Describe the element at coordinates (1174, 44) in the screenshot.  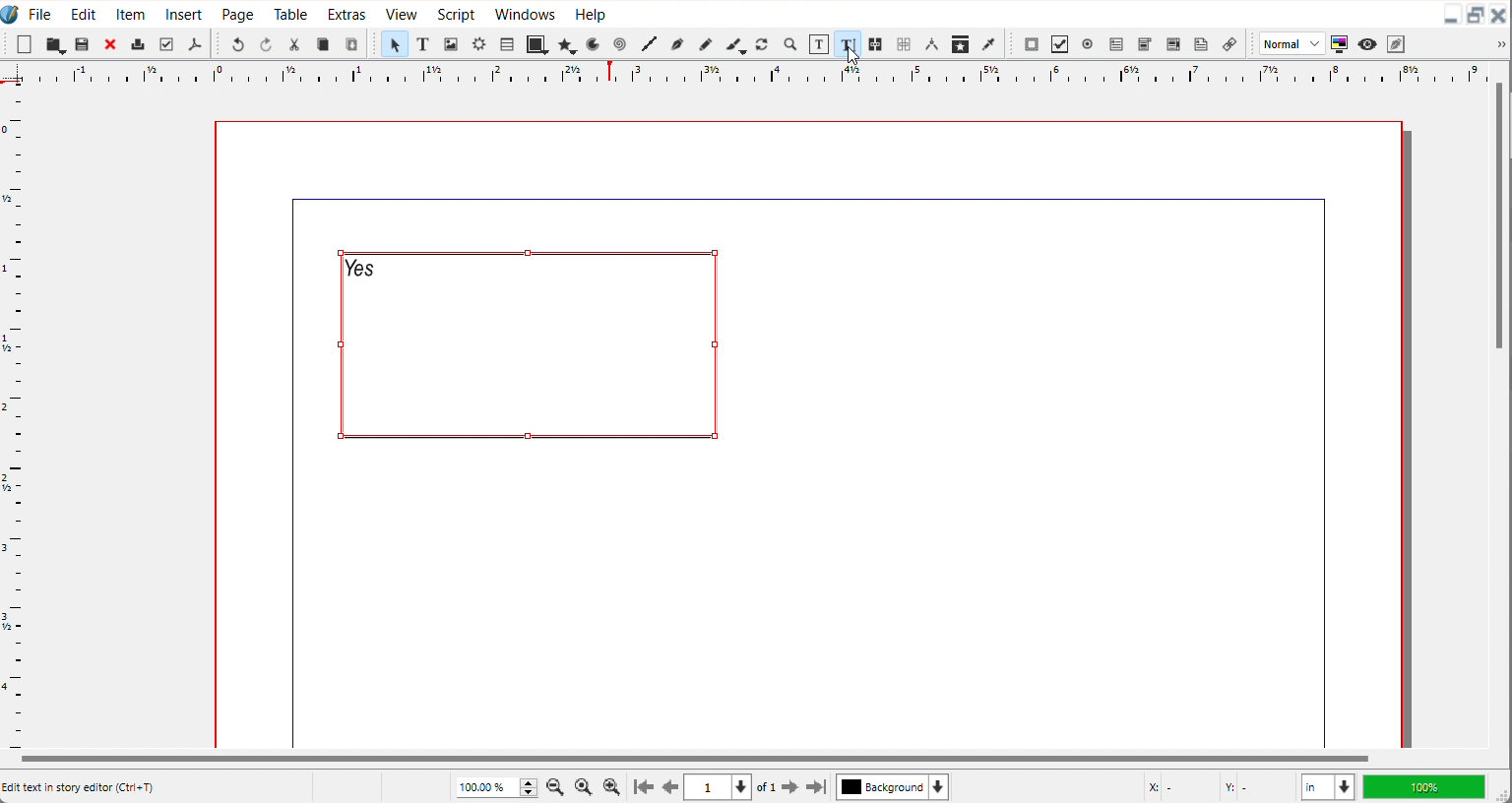
I see `PDF List box` at that location.